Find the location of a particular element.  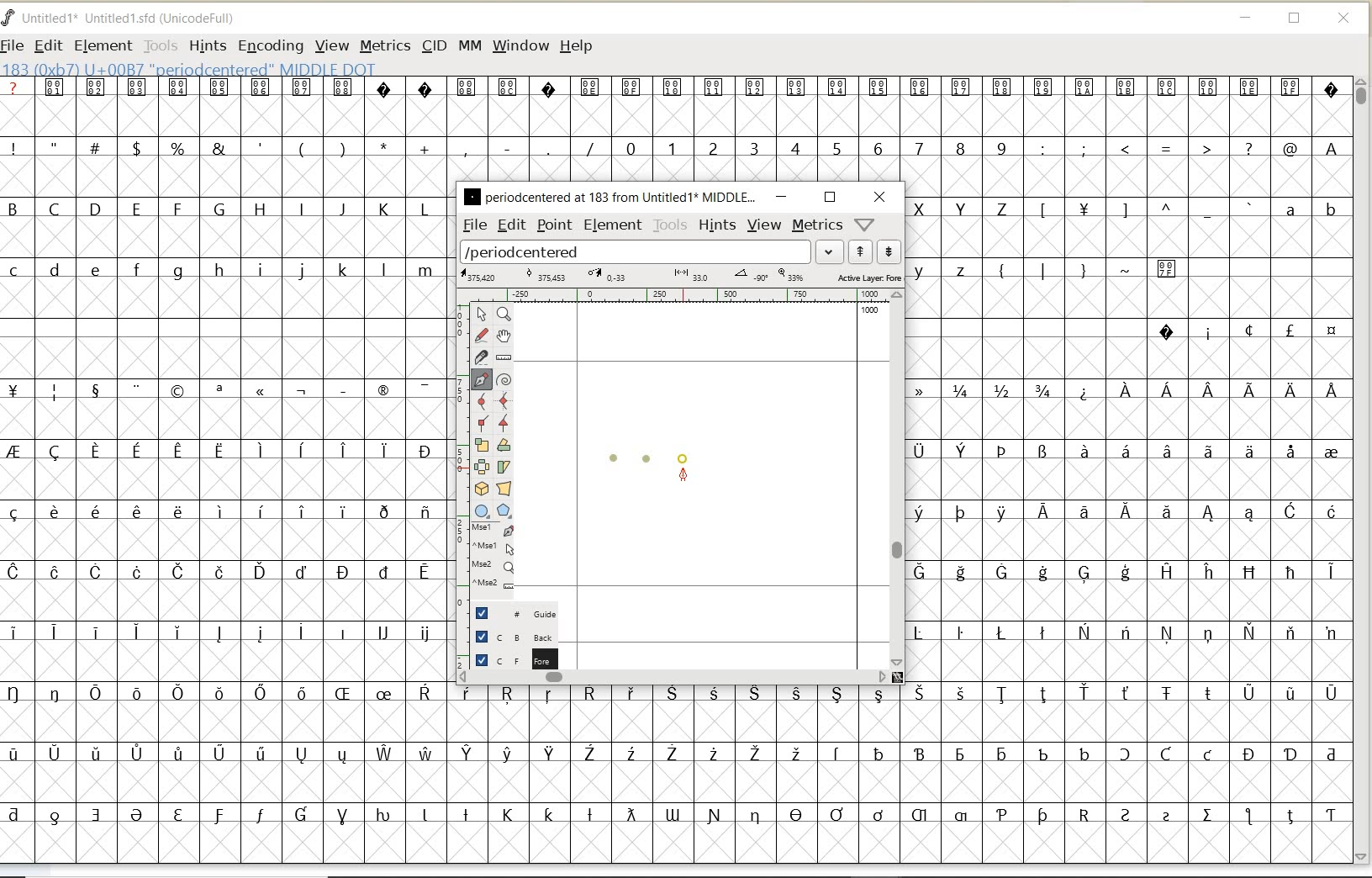

skew the selection is located at coordinates (504, 465).